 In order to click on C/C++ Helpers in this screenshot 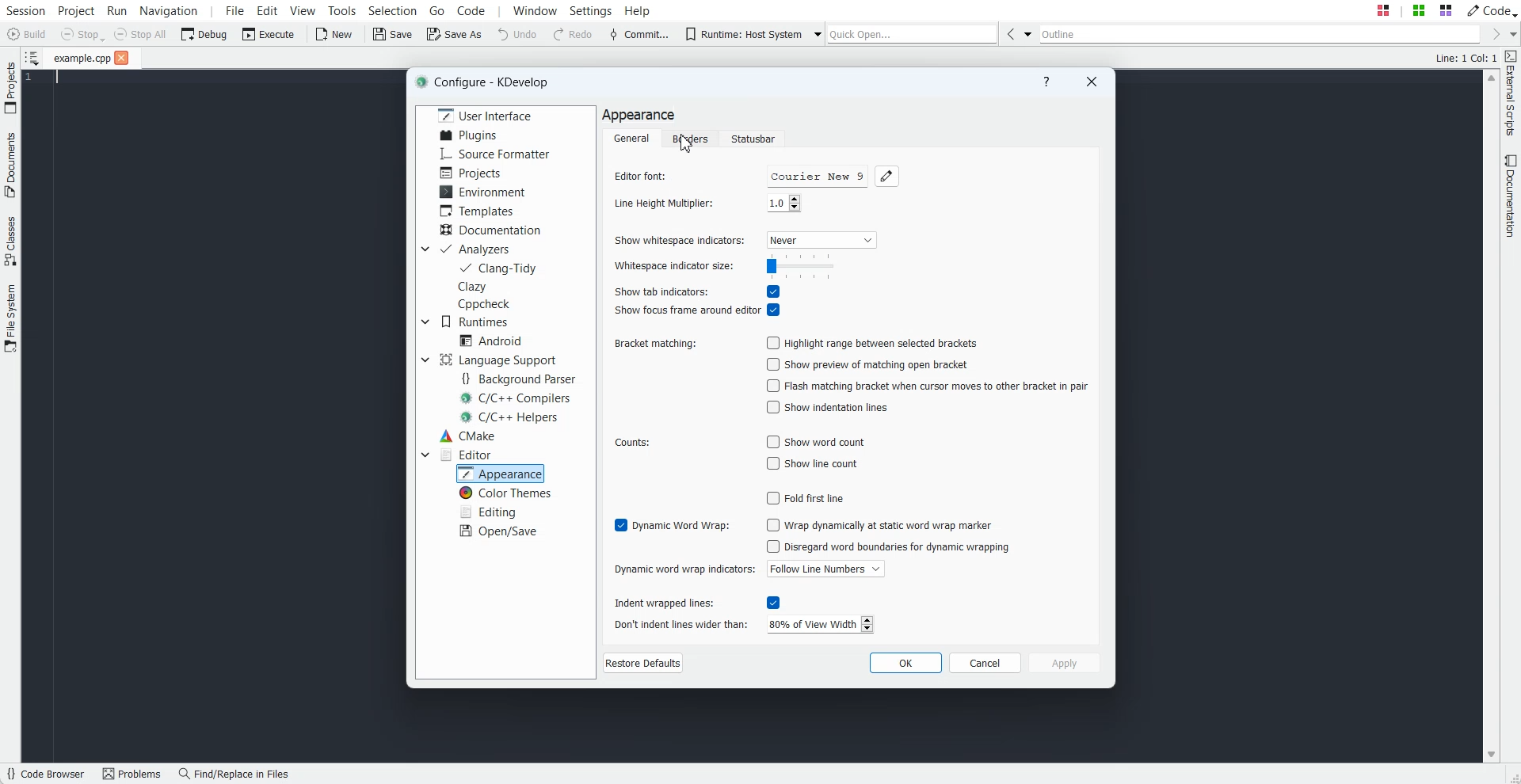, I will do `click(511, 417)`.